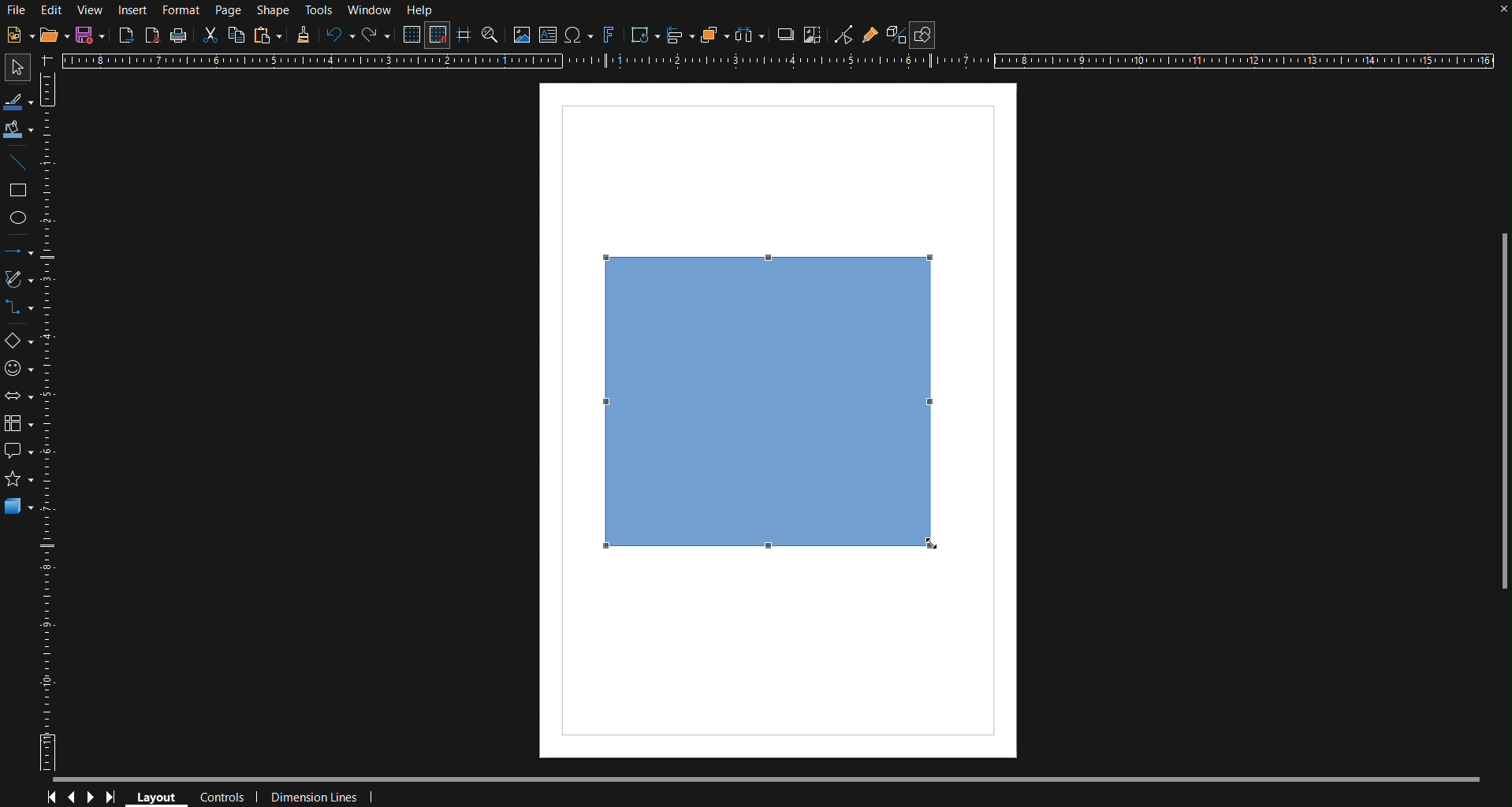  What do you see at coordinates (228, 10) in the screenshot?
I see `Page` at bounding box center [228, 10].